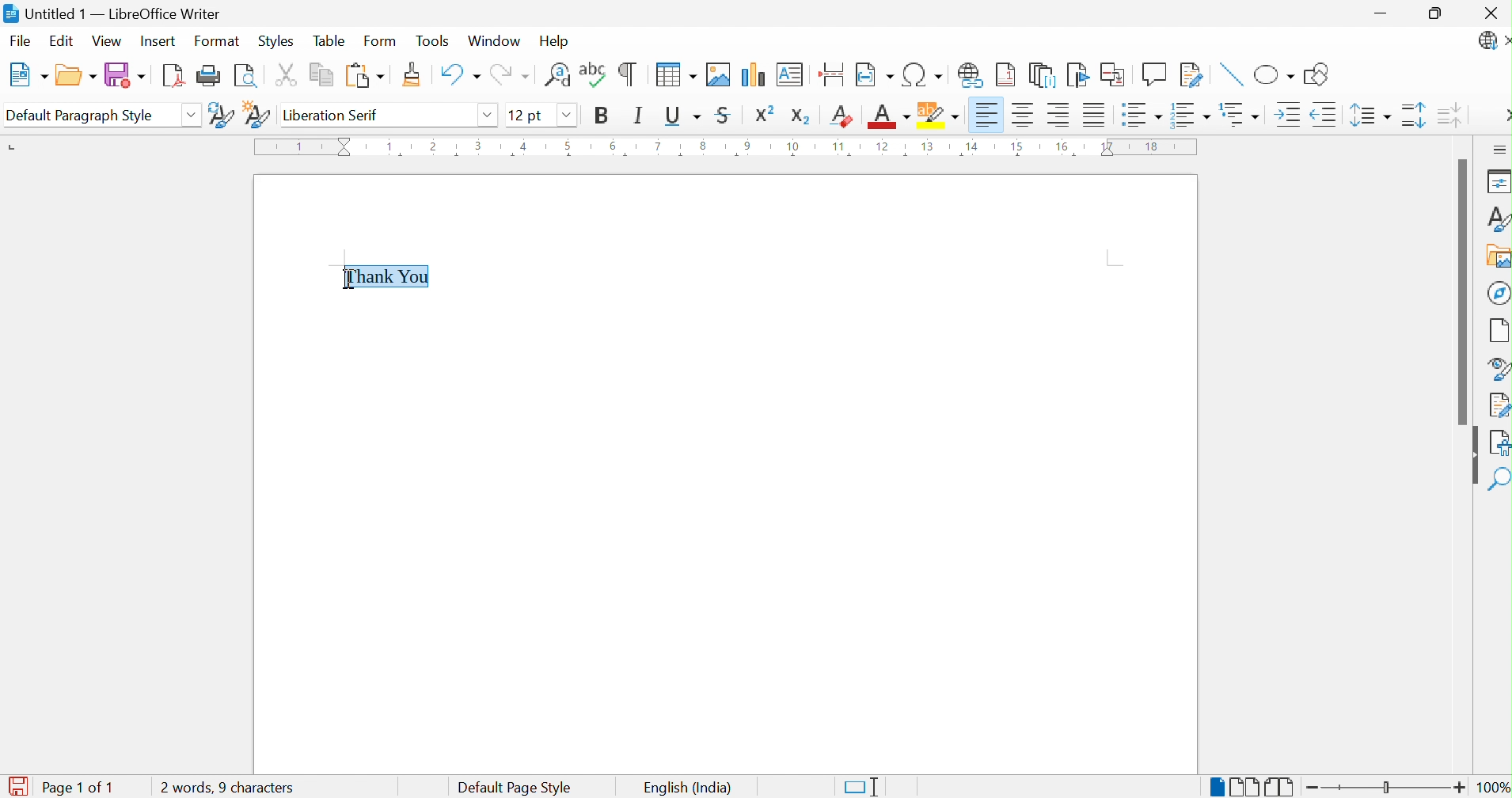  What do you see at coordinates (330, 115) in the screenshot?
I see `Liberation Serif` at bounding box center [330, 115].